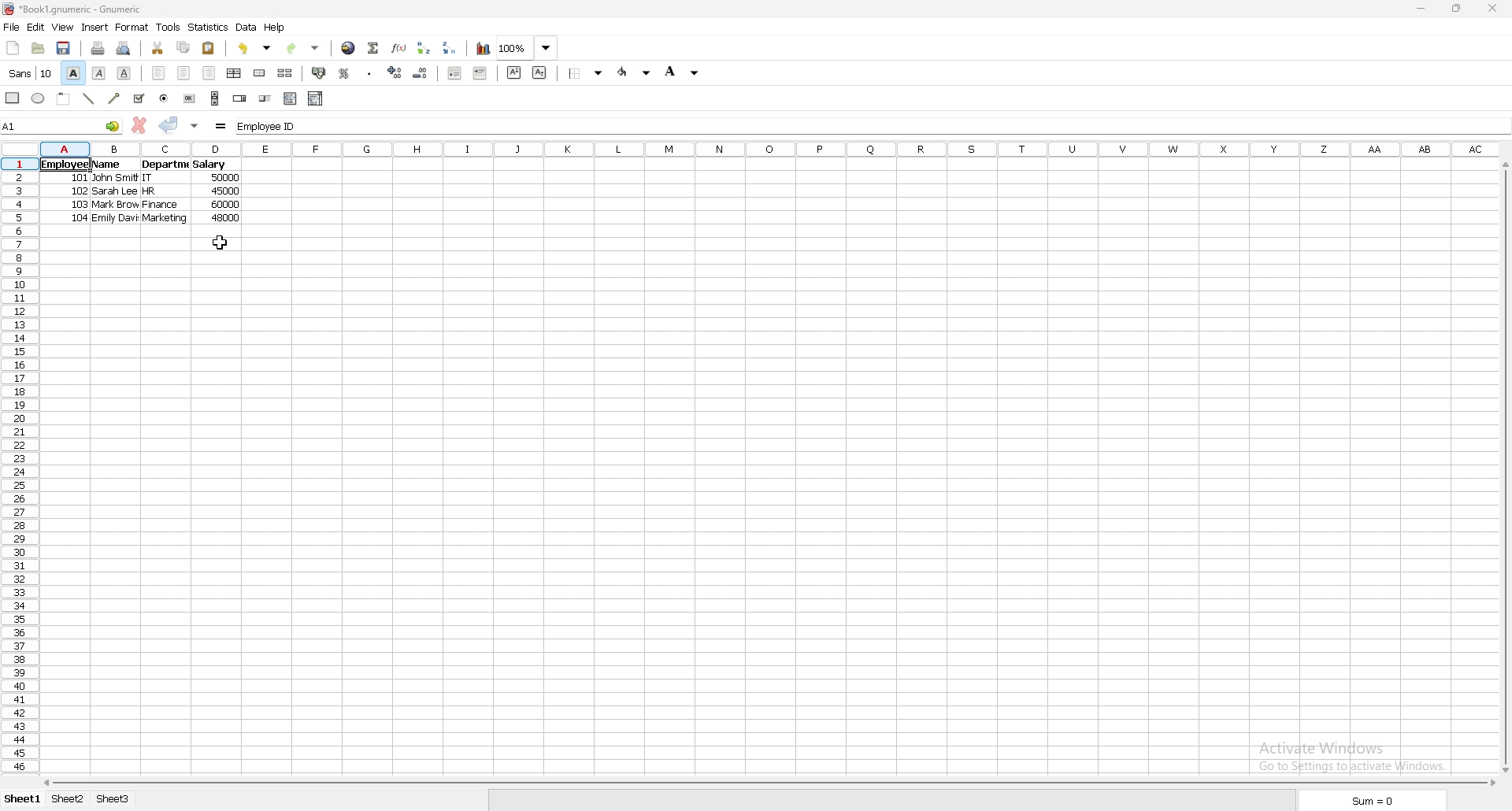 This screenshot has height=811, width=1512. I want to click on it, so click(154, 177).